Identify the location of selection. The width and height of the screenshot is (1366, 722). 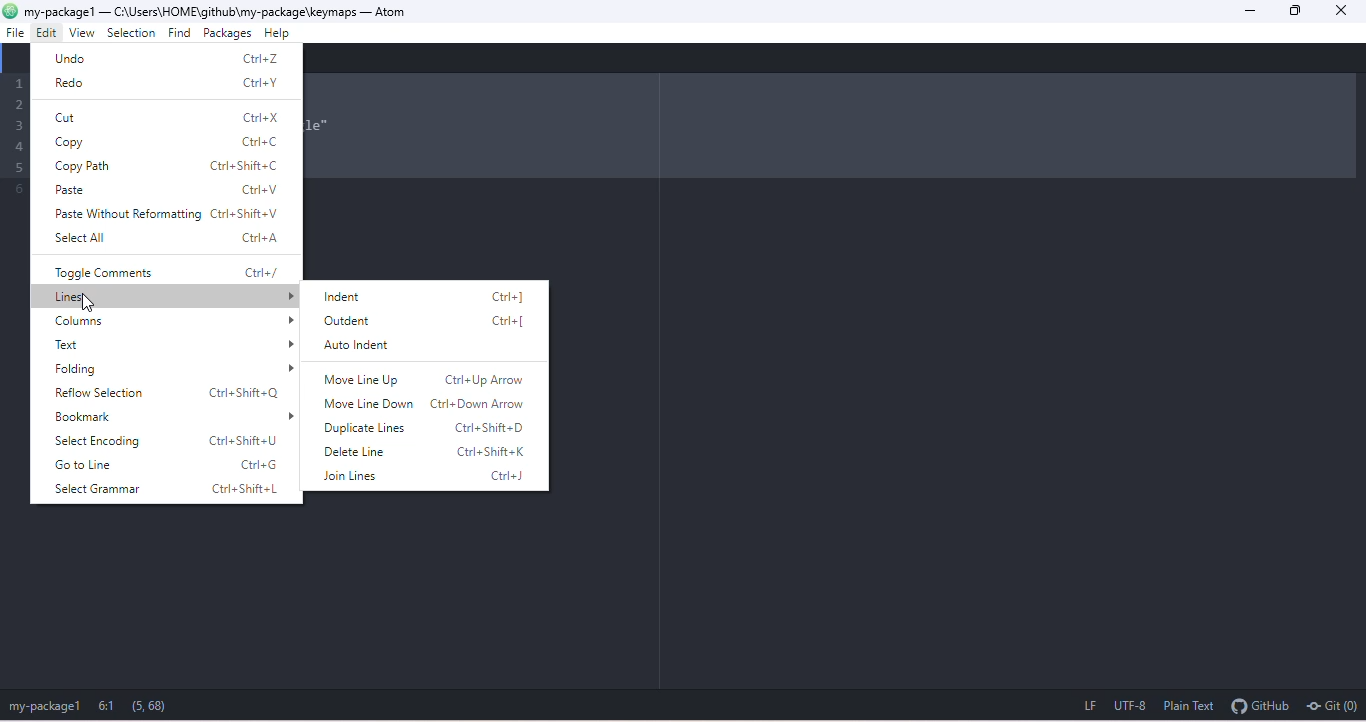
(131, 31).